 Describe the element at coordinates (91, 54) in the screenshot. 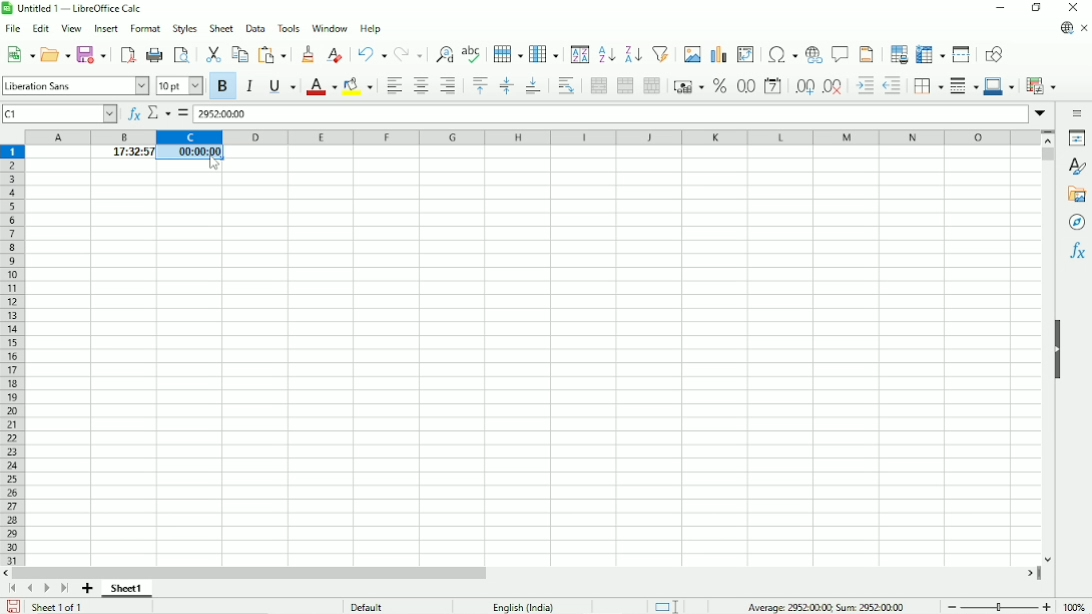

I see `Save` at that location.